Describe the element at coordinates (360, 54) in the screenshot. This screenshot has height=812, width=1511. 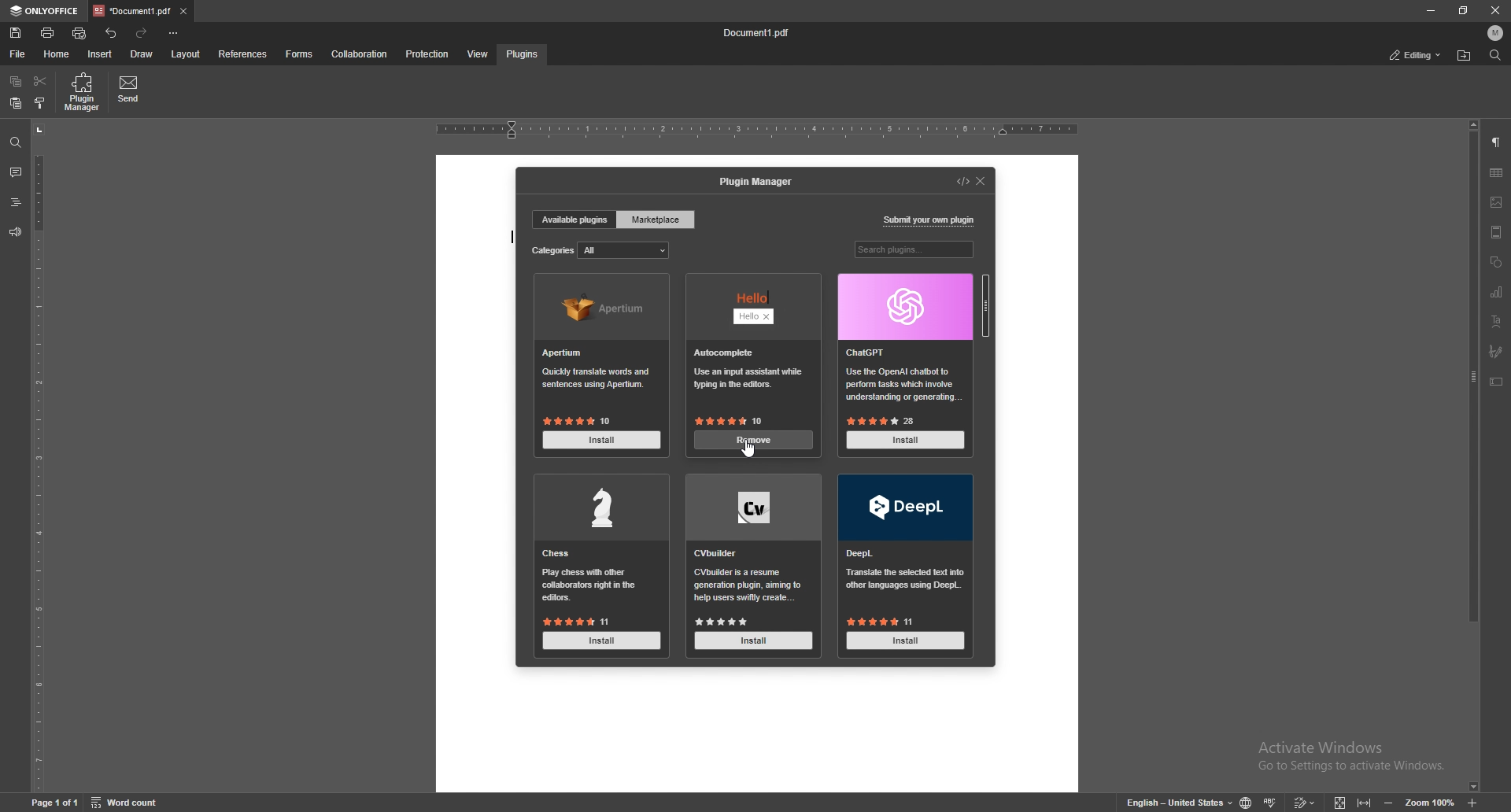
I see `collaboration` at that location.